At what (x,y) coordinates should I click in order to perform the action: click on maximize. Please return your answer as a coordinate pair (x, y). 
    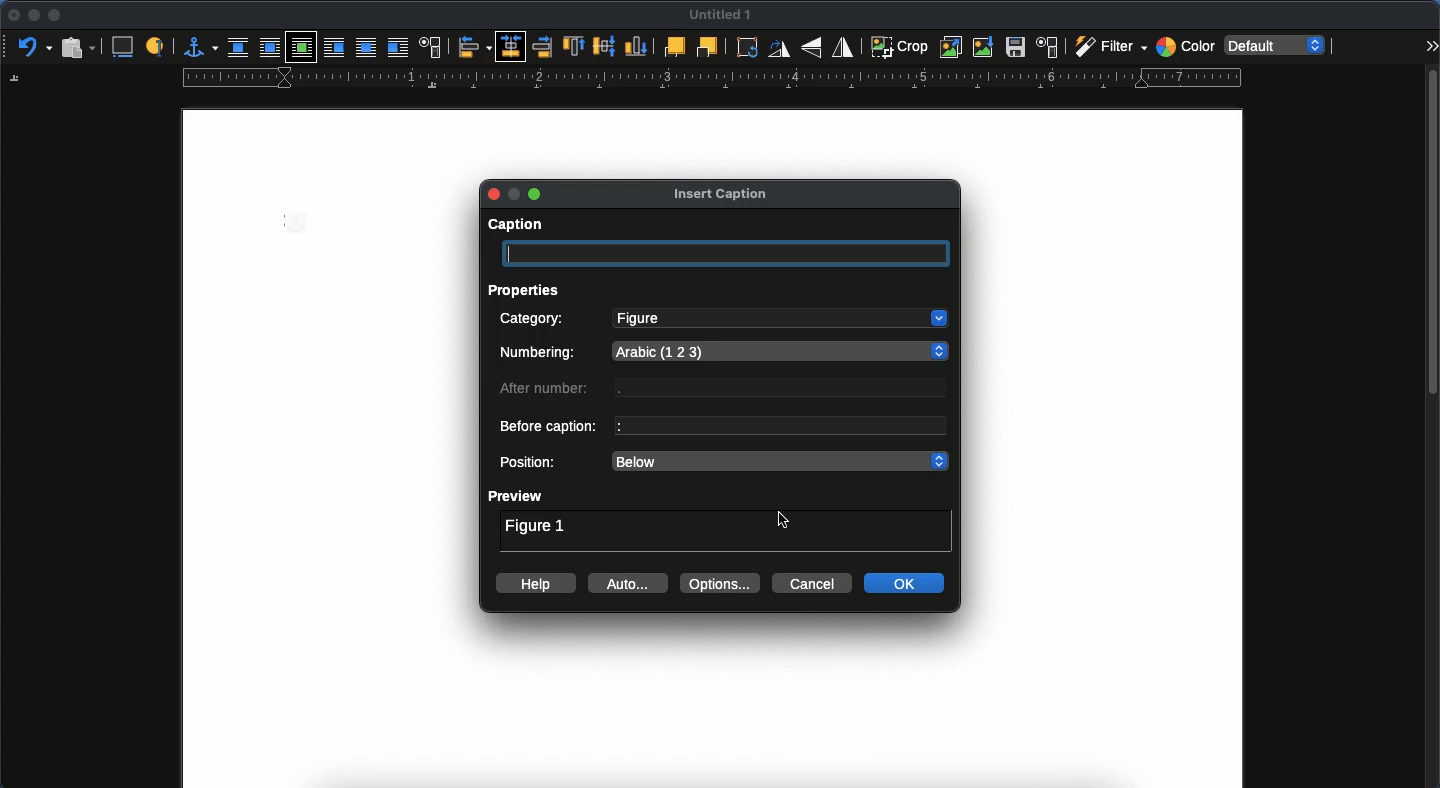
    Looking at the image, I should click on (56, 17).